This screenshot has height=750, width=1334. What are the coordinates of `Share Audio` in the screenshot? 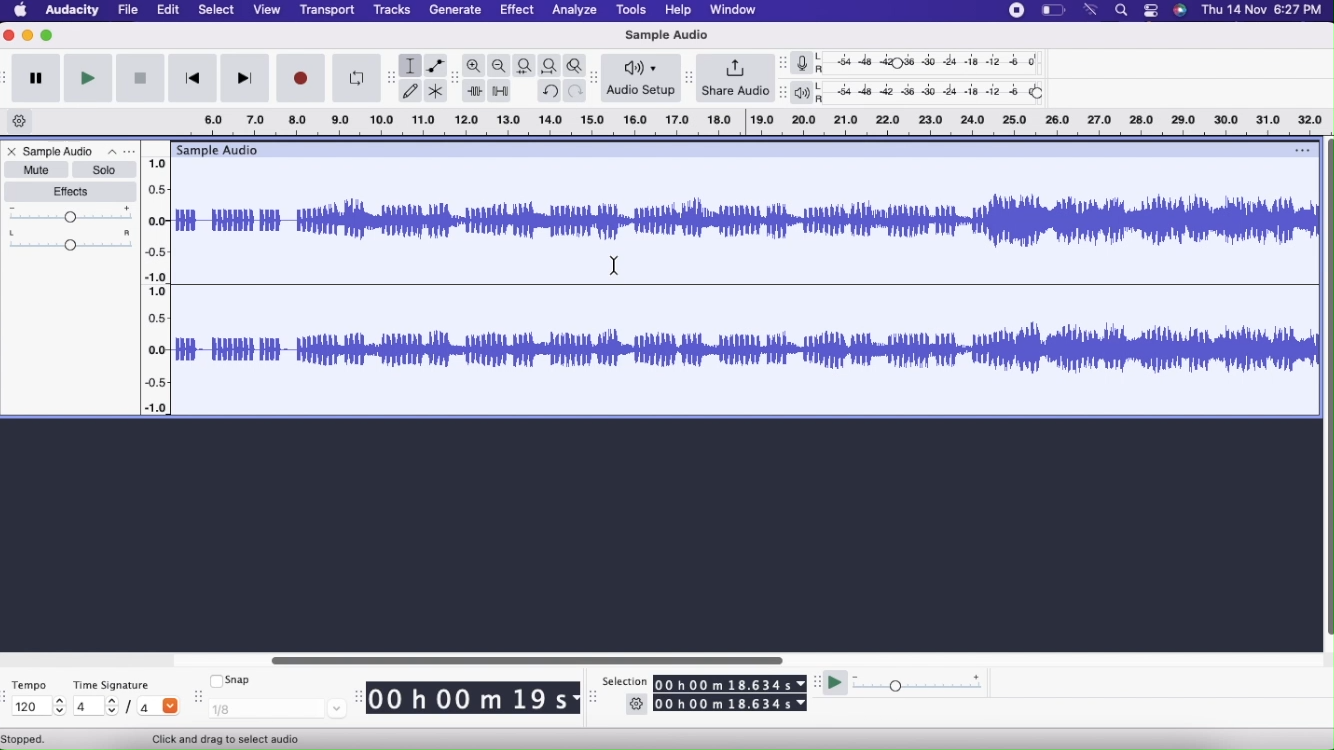 It's located at (736, 78).